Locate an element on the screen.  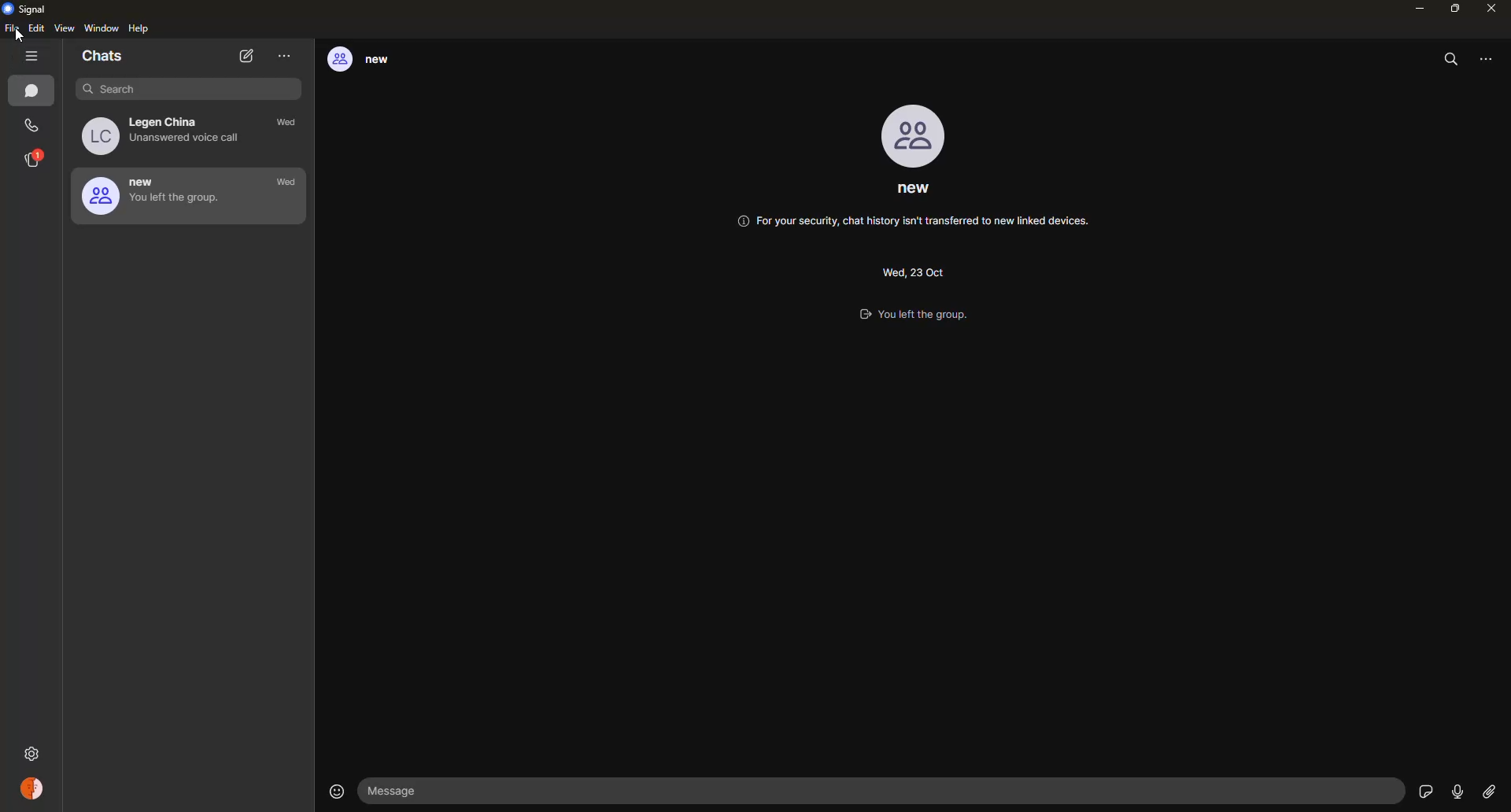
window is located at coordinates (102, 29).